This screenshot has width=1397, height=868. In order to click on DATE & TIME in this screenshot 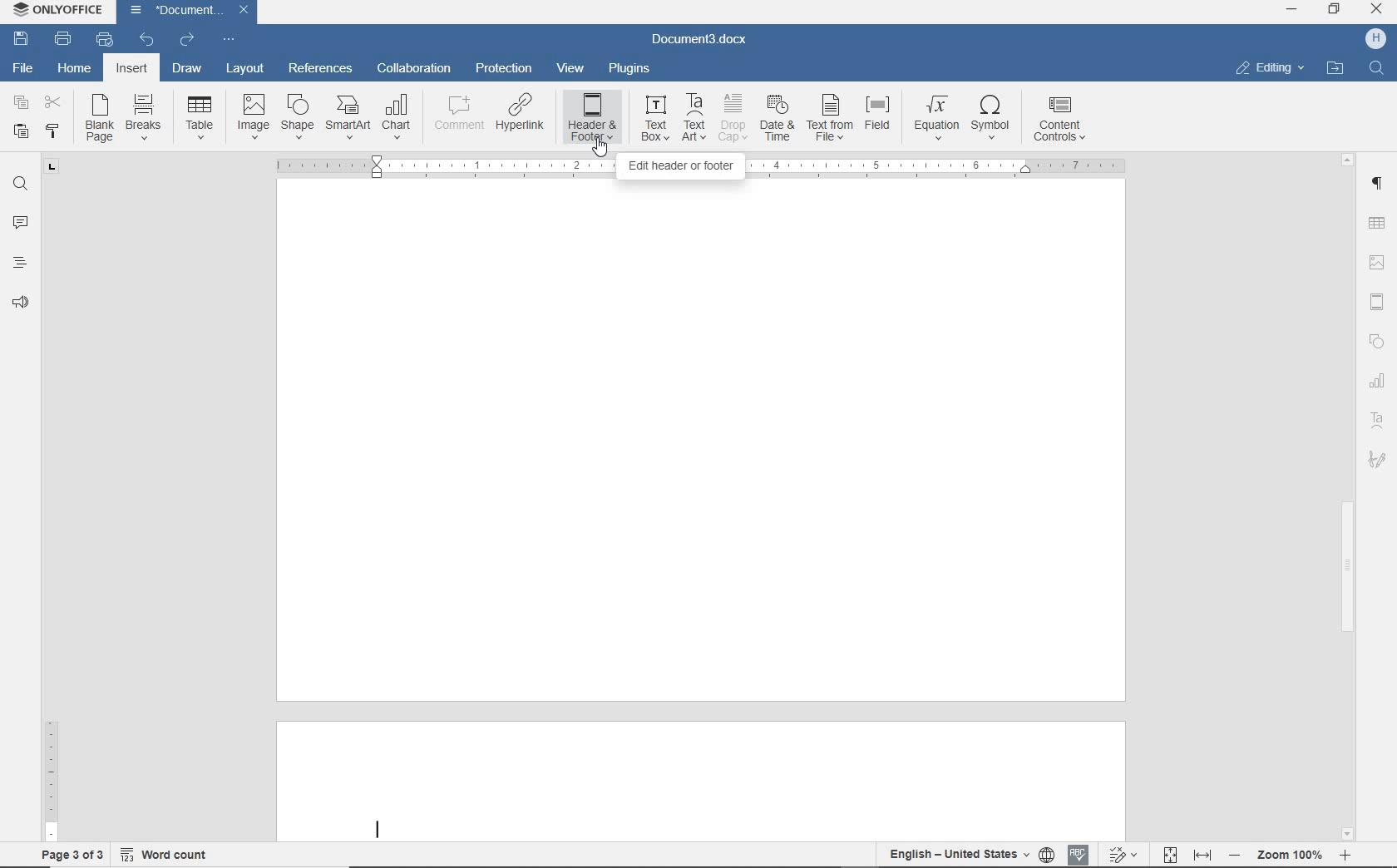, I will do `click(777, 119)`.